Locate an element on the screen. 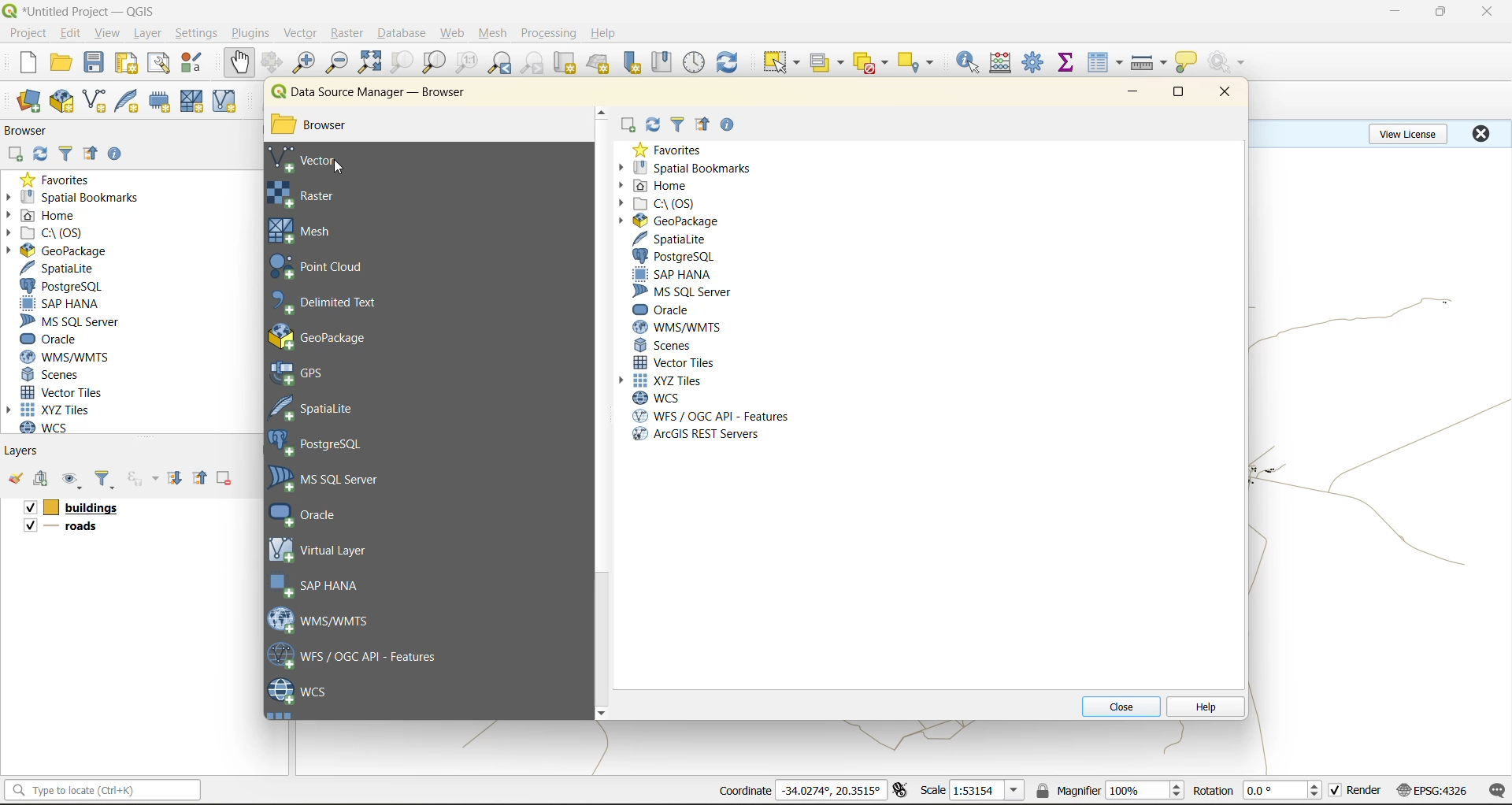 The width and height of the screenshot is (1512, 805). filter by expression is located at coordinates (145, 477).